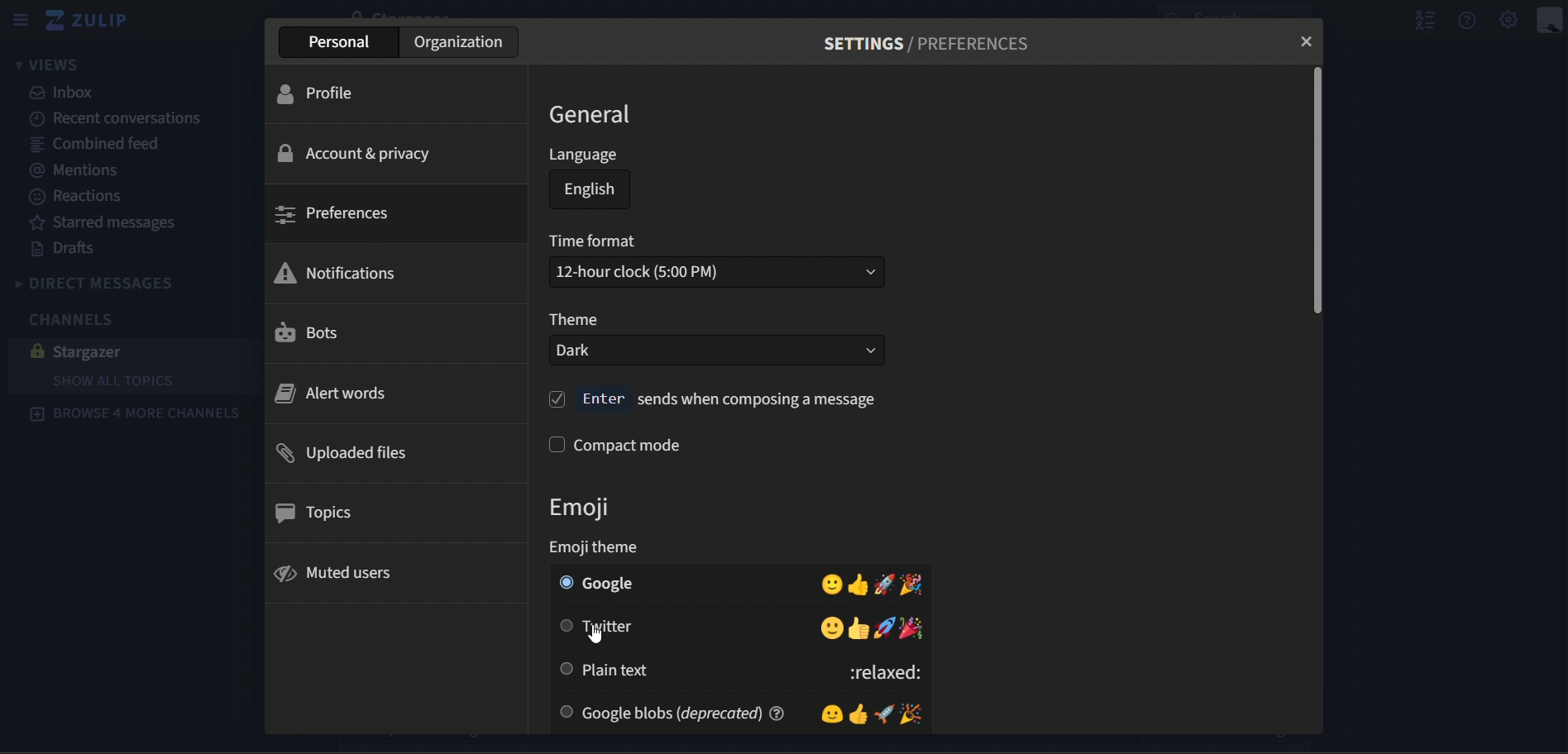  What do you see at coordinates (591, 193) in the screenshot?
I see `english` at bounding box center [591, 193].